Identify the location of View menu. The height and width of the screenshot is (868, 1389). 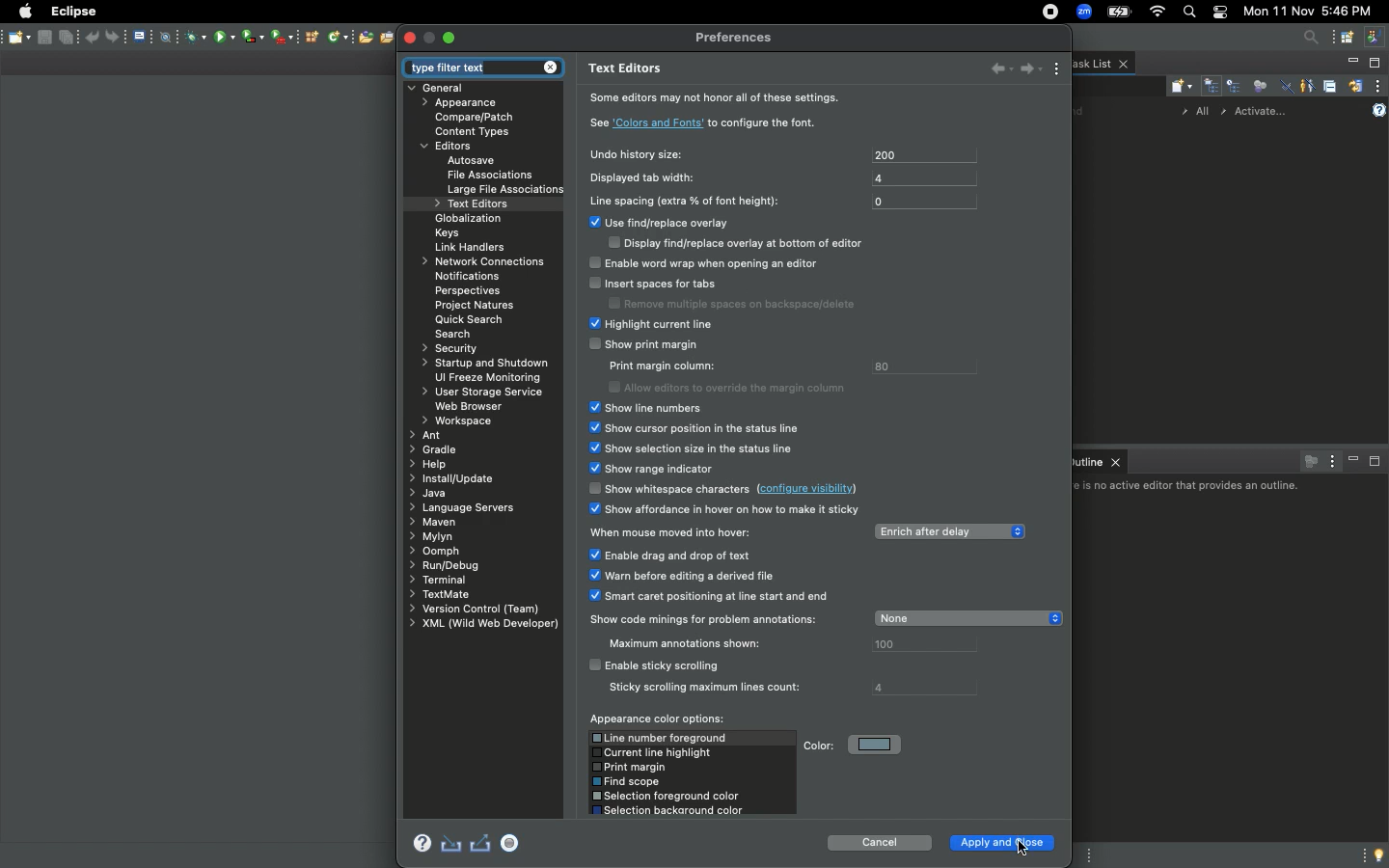
(1331, 461).